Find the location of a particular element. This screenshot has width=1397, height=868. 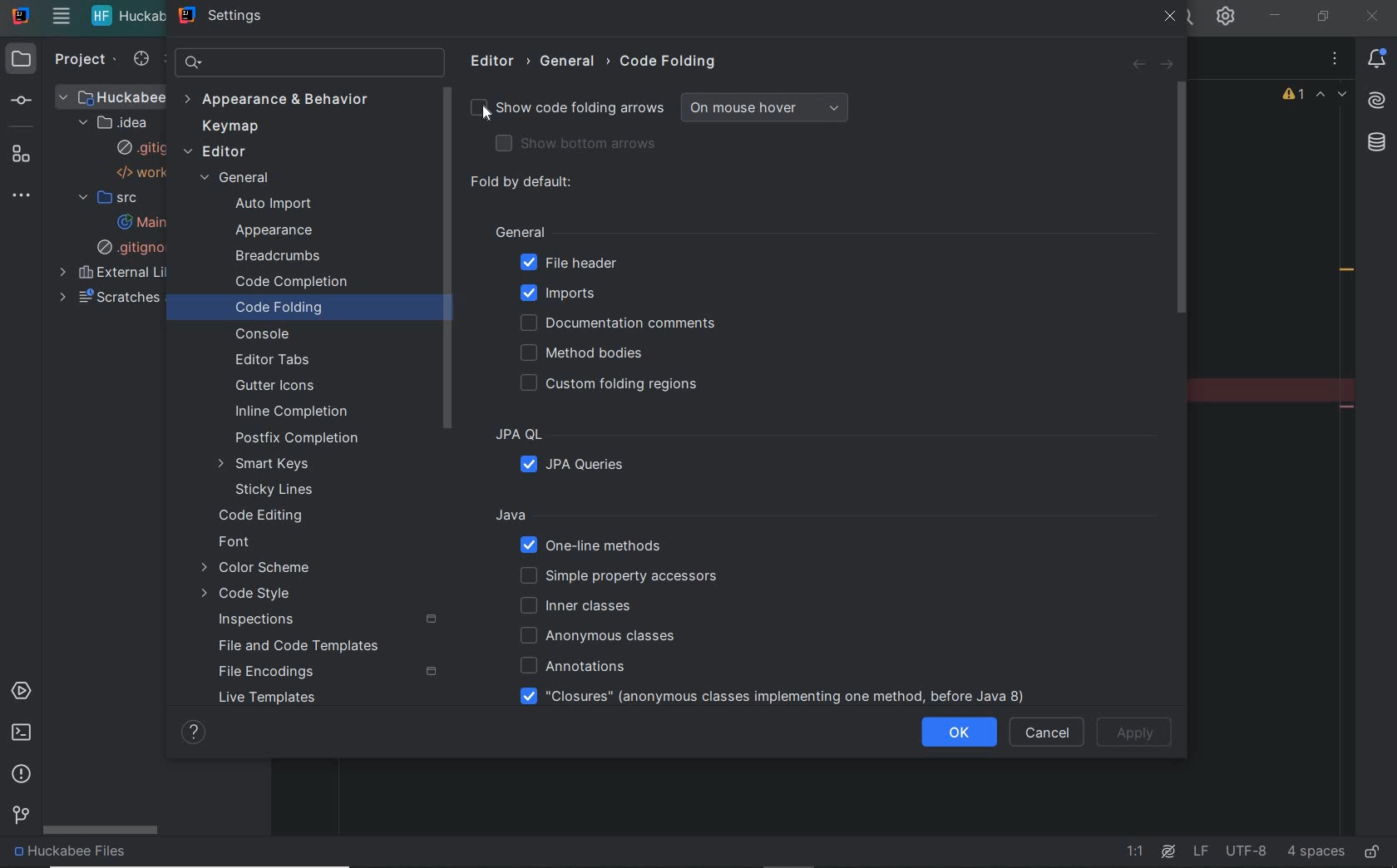

Java is located at coordinates (781, 516).